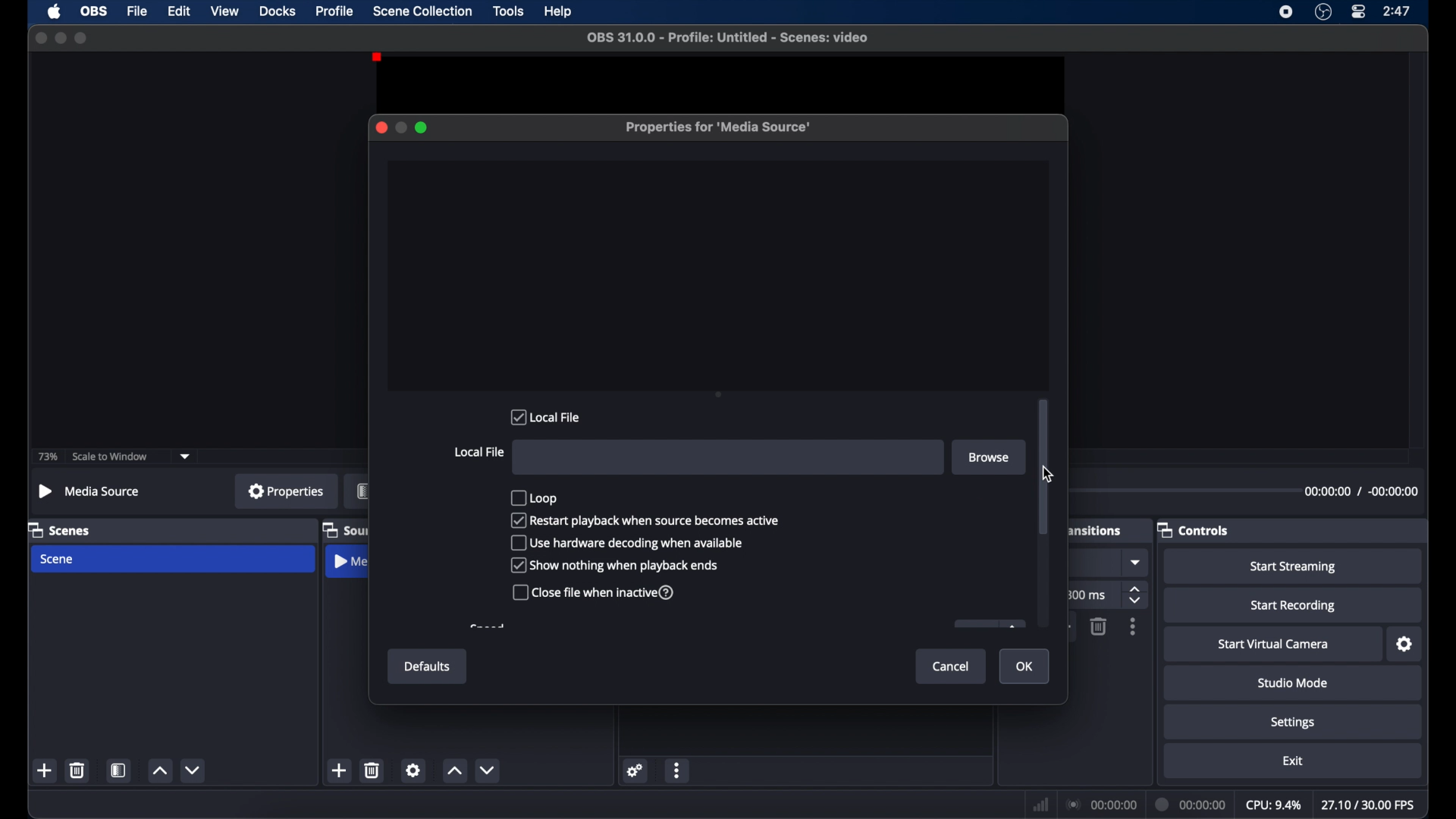 This screenshot has height=819, width=1456. Describe the element at coordinates (1194, 529) in the screenshot. I see `controls` at that location.